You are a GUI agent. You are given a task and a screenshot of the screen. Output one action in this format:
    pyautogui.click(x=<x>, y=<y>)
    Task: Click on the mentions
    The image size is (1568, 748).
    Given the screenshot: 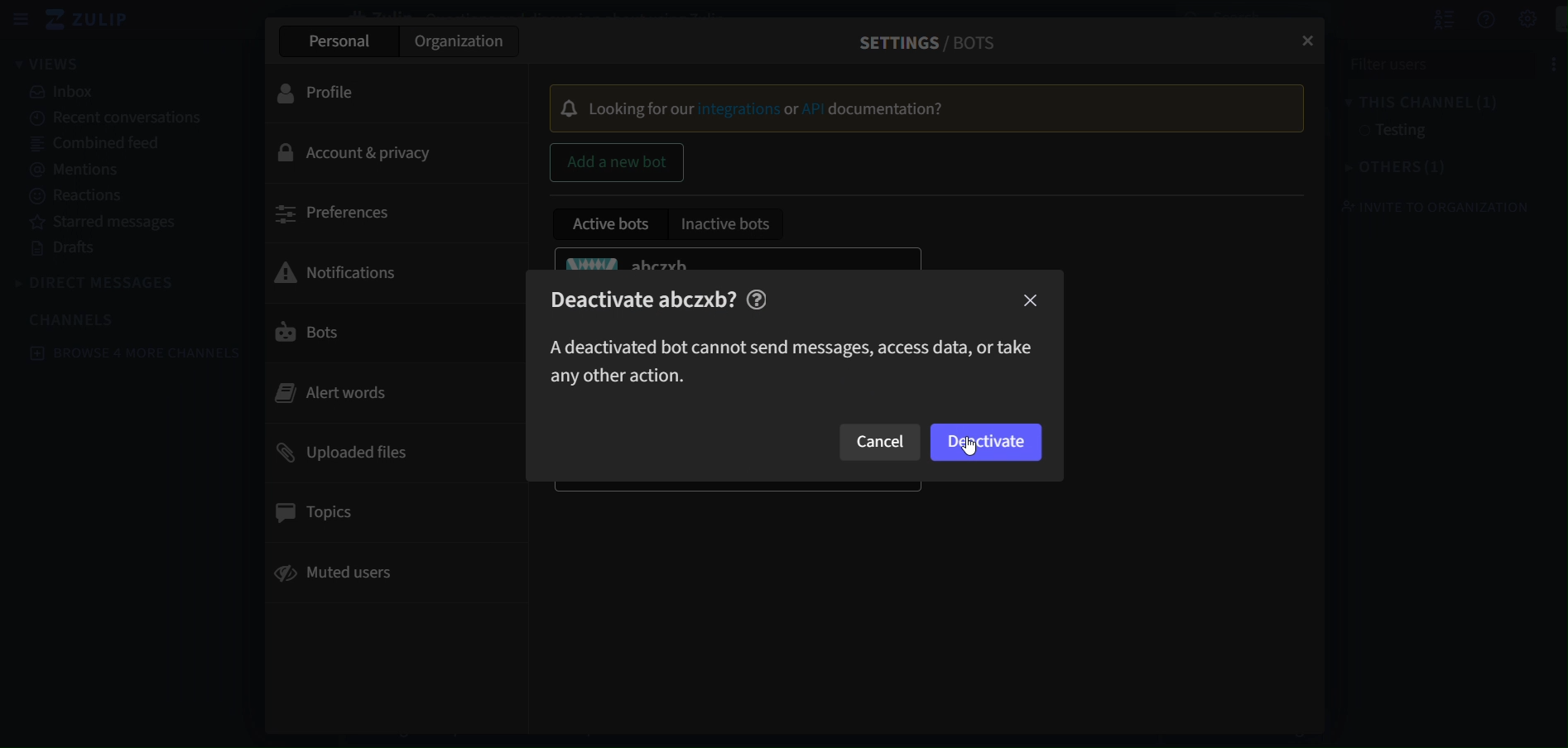 What is the action you would take?
    pyautogui.click(x=73, y=170)
    